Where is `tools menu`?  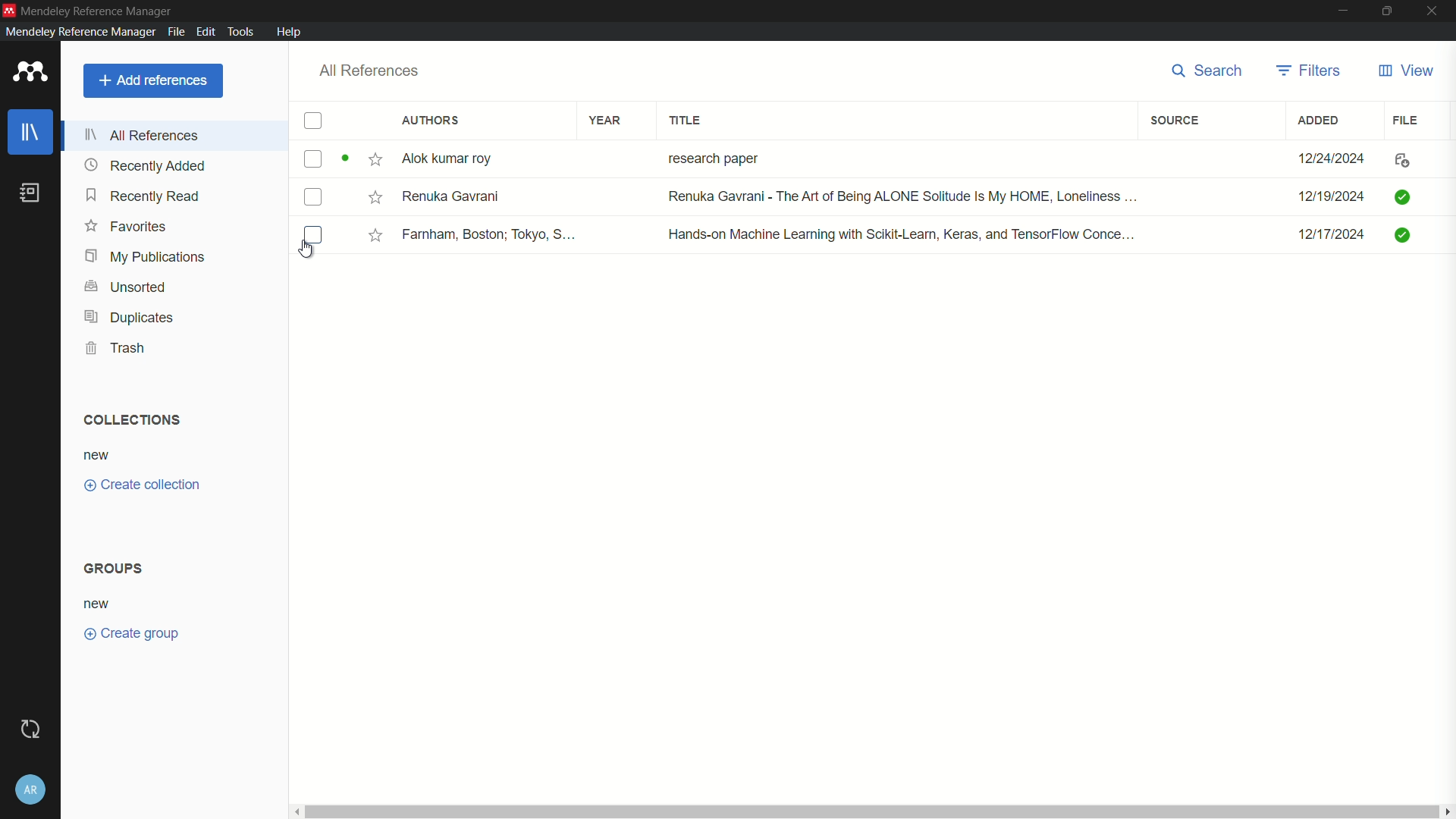 tools menu is located at coordinates (244, 31).